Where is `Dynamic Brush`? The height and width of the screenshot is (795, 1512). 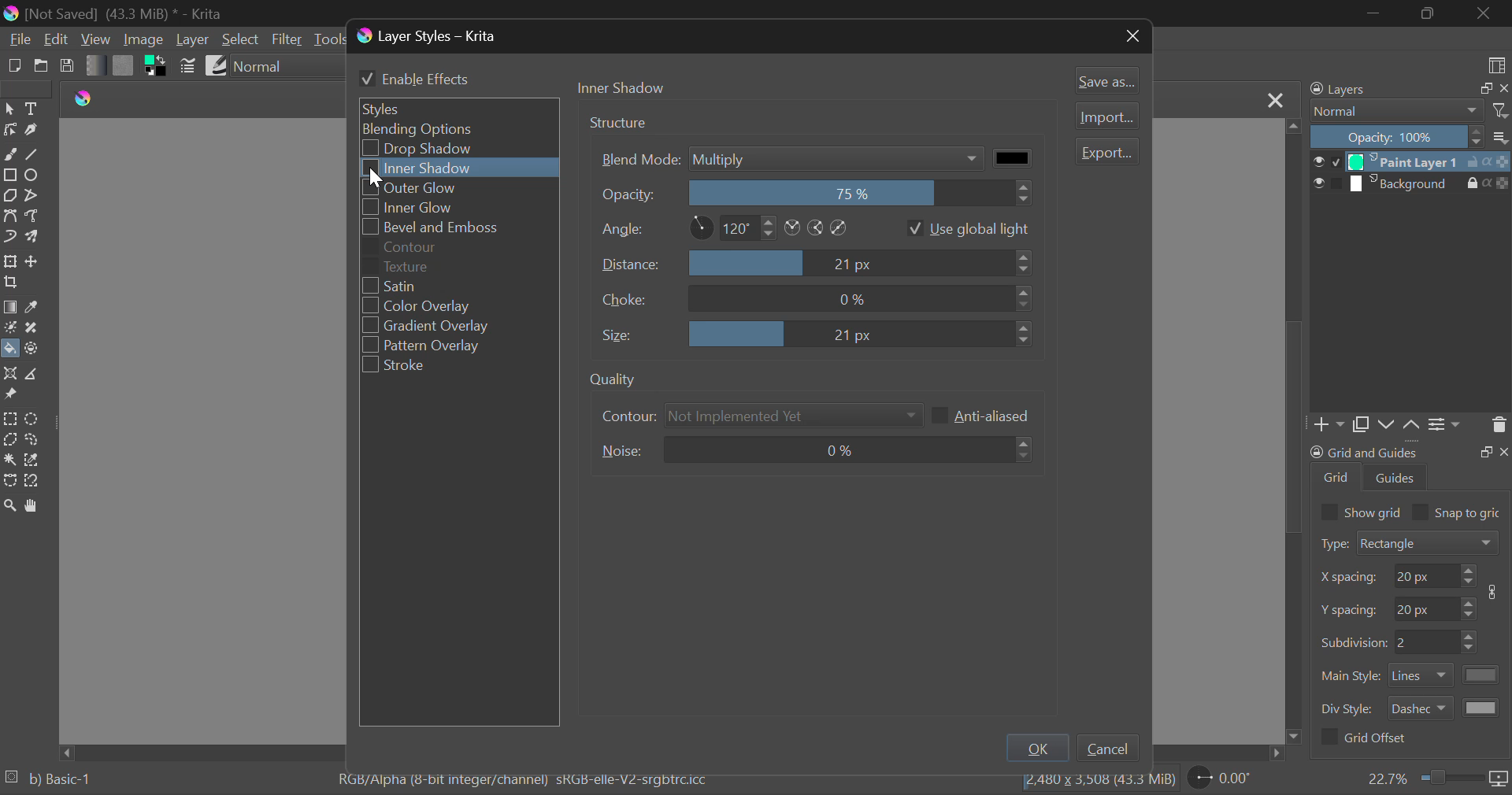
Dynamic Brush is located at coordinates (10, 238).